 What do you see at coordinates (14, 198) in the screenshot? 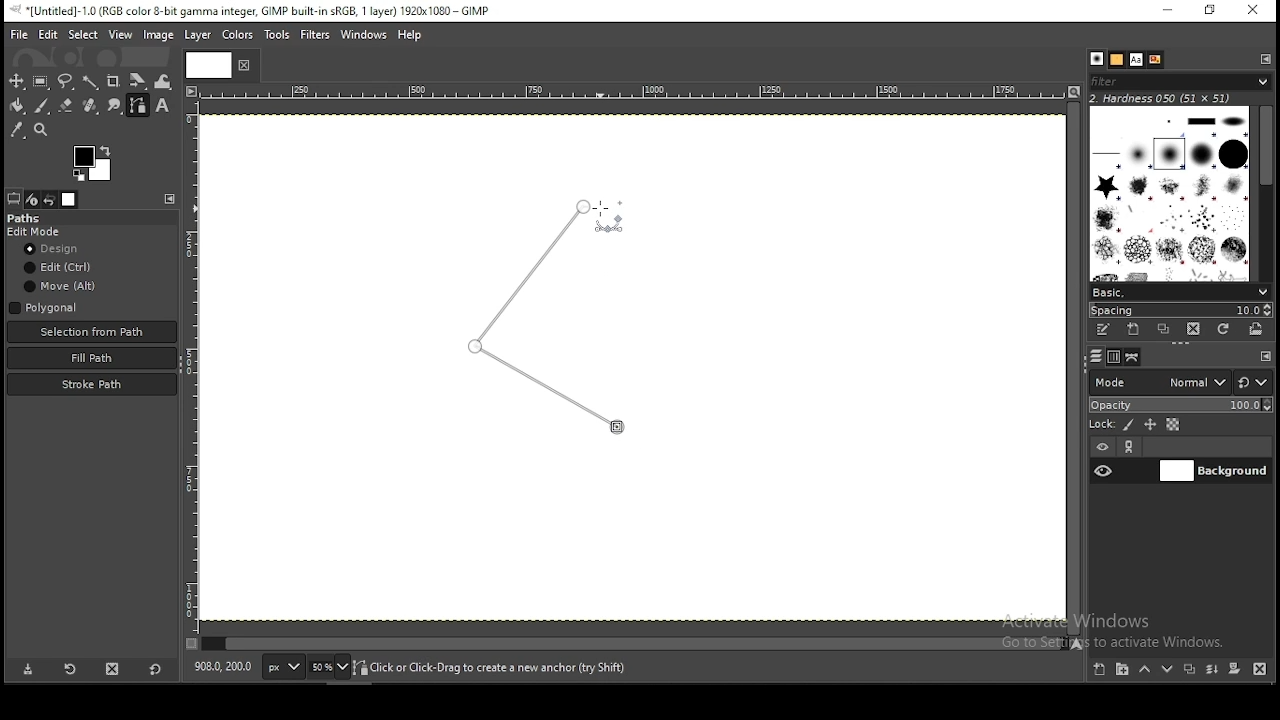
I see `tool options` at bounding box center [14, 198].